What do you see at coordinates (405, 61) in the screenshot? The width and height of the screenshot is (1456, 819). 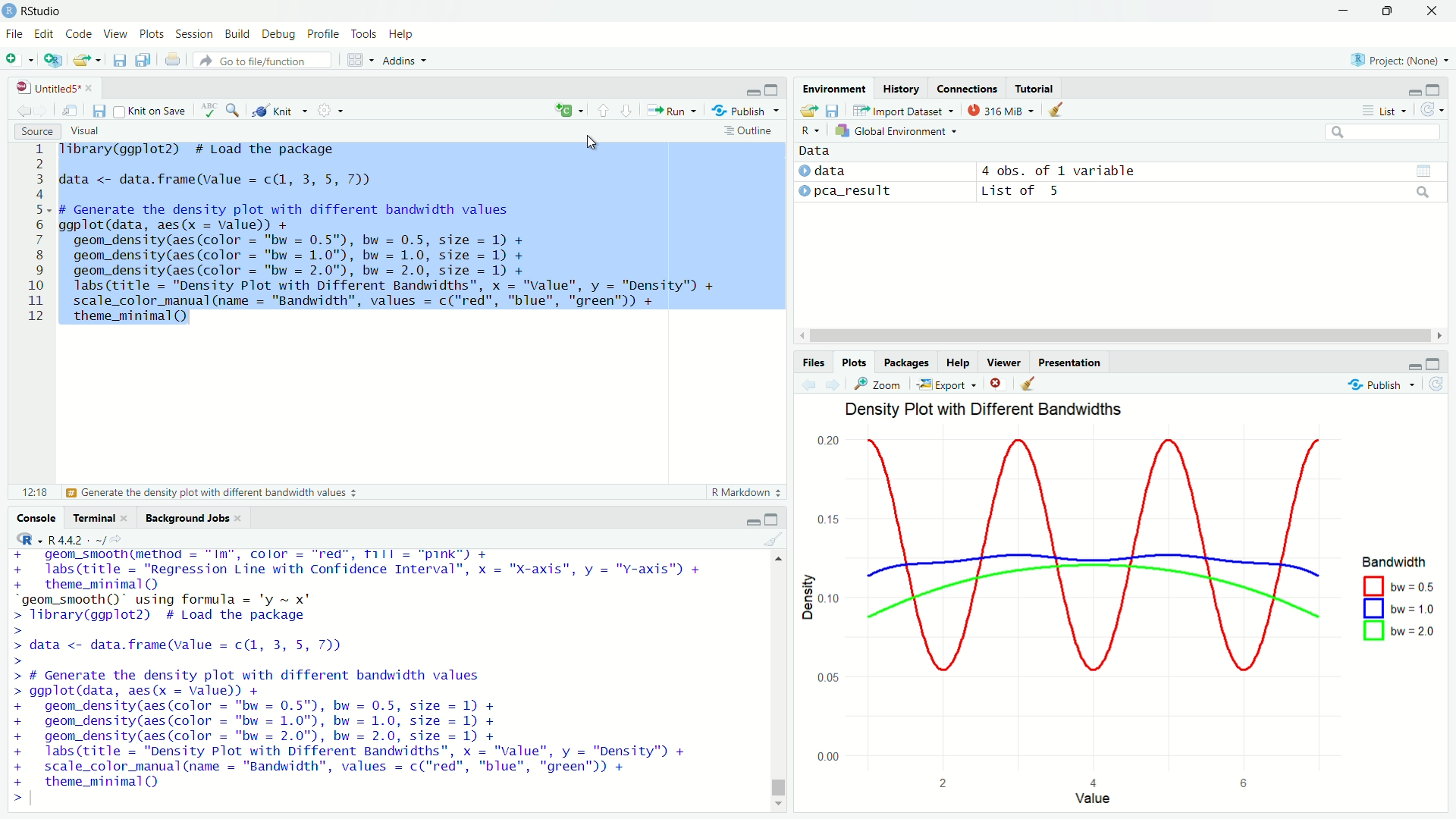 I see `Addins` at bounding box center [405, 61].